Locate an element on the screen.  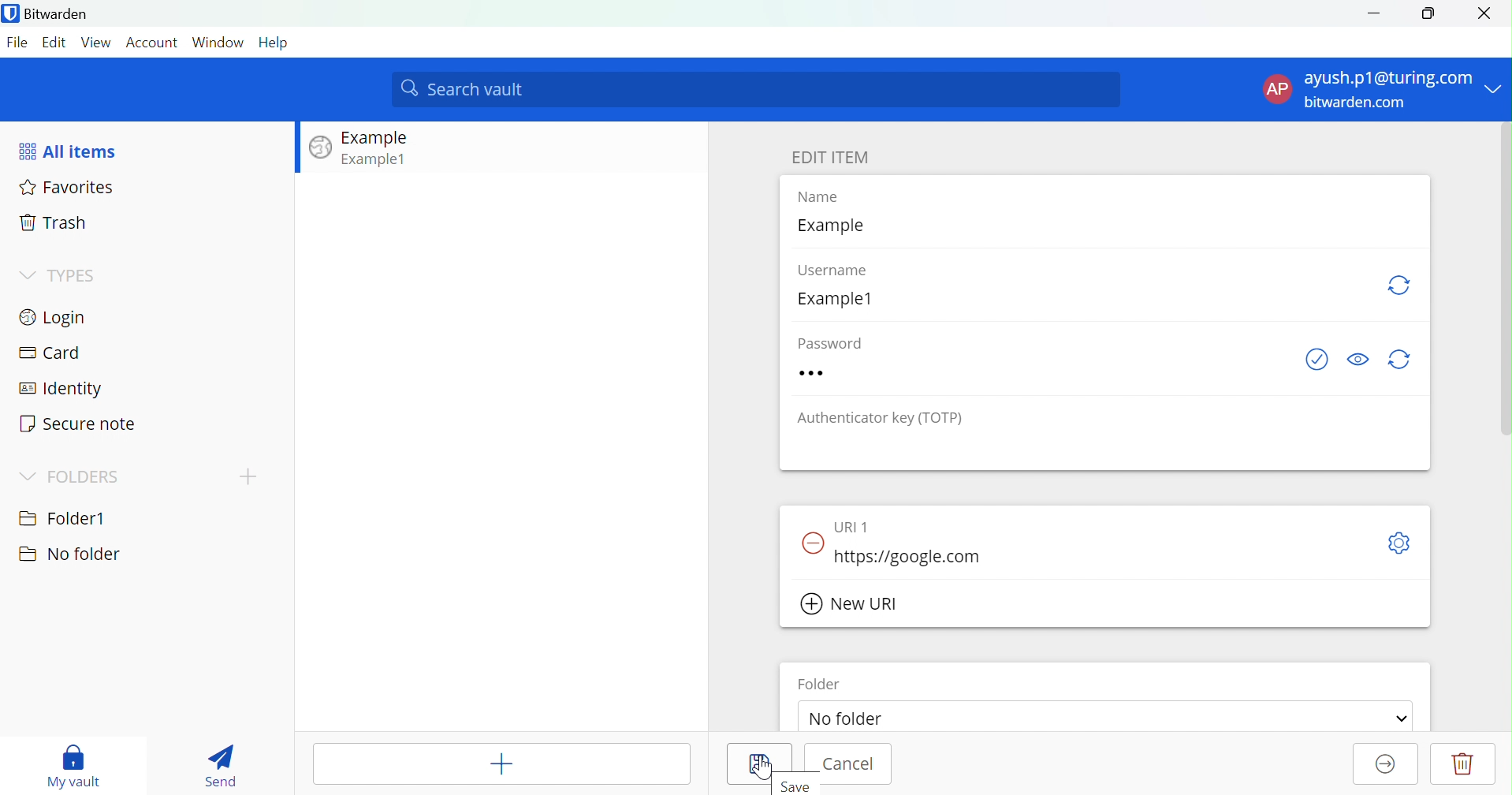
File is located at coordinates (20, 43).